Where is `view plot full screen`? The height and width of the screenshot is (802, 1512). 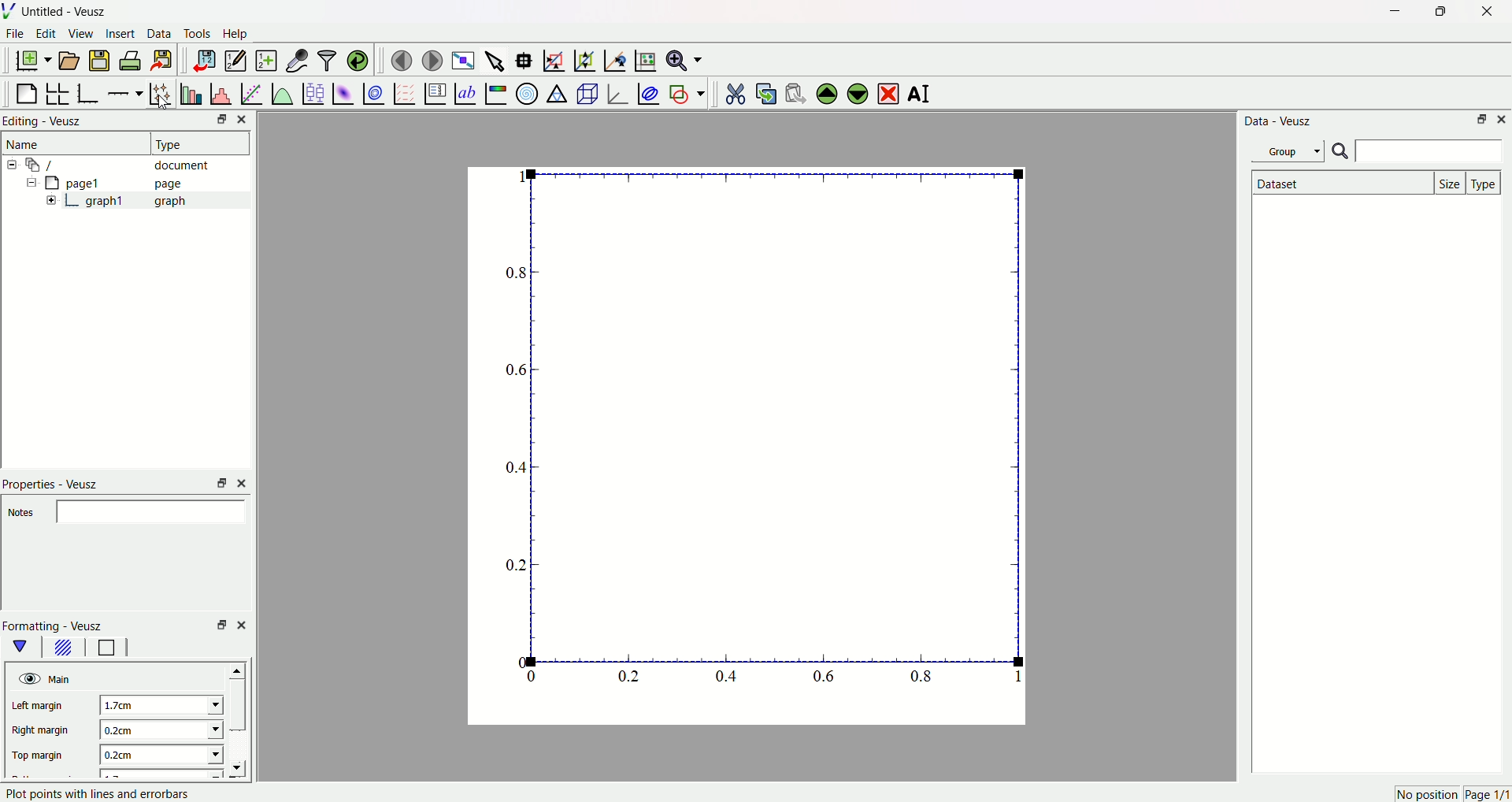
view plot full screen is located at coordinates (464, 58).